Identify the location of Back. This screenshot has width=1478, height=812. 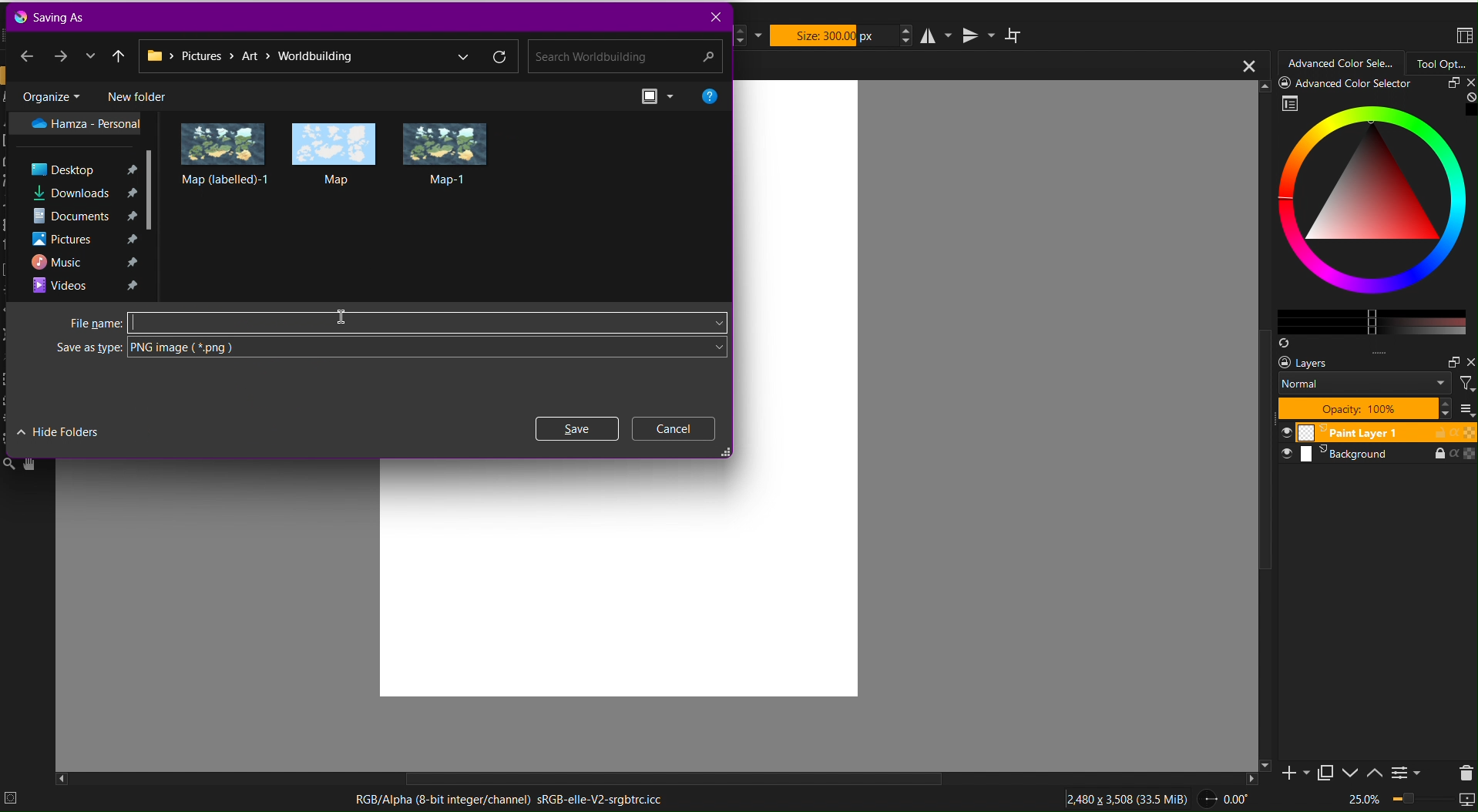
(27, 54).